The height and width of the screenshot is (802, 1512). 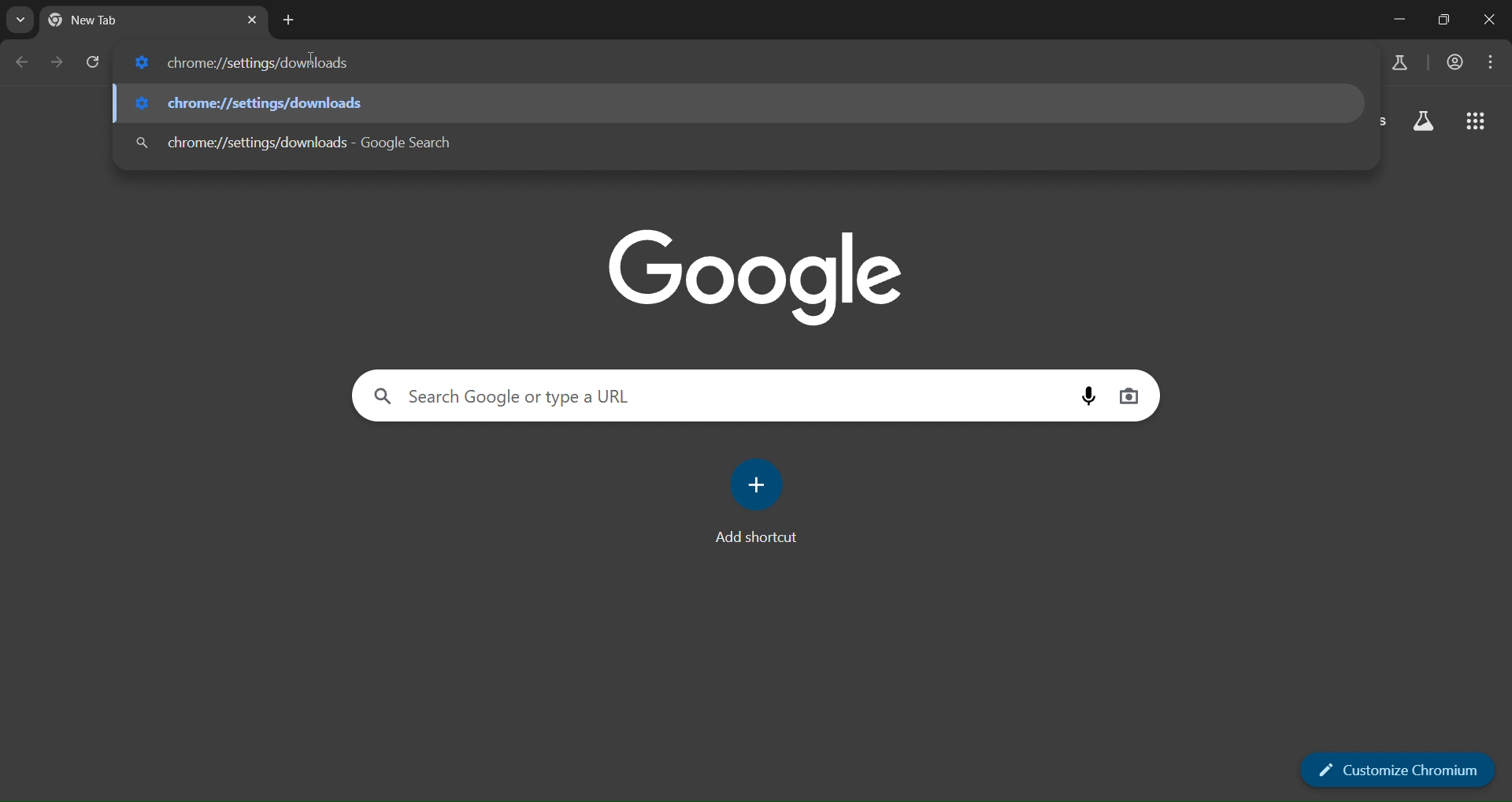 I want to click on chrome://settings/downloads, so click(x=246, y=64).